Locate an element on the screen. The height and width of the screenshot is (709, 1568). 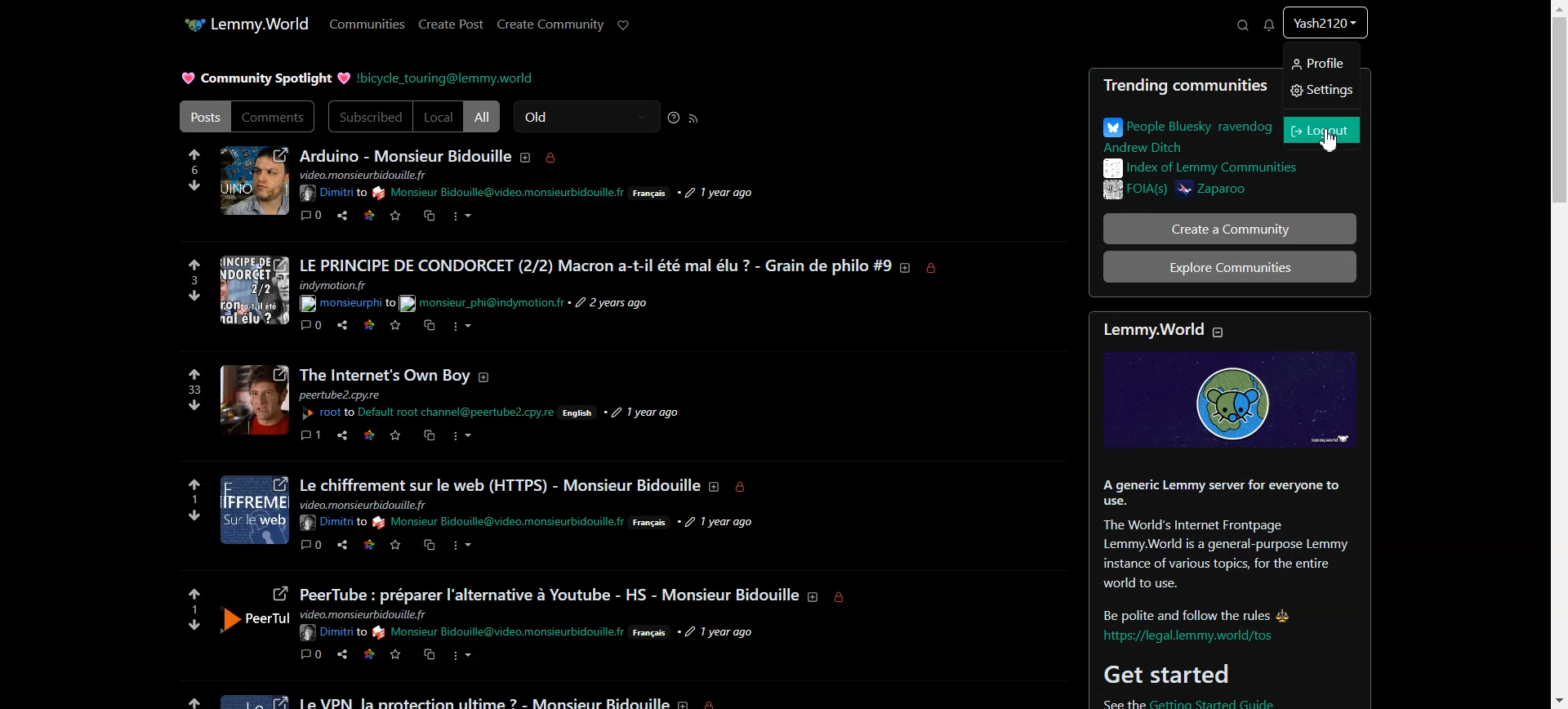
more is located at coordinates (470, 328).